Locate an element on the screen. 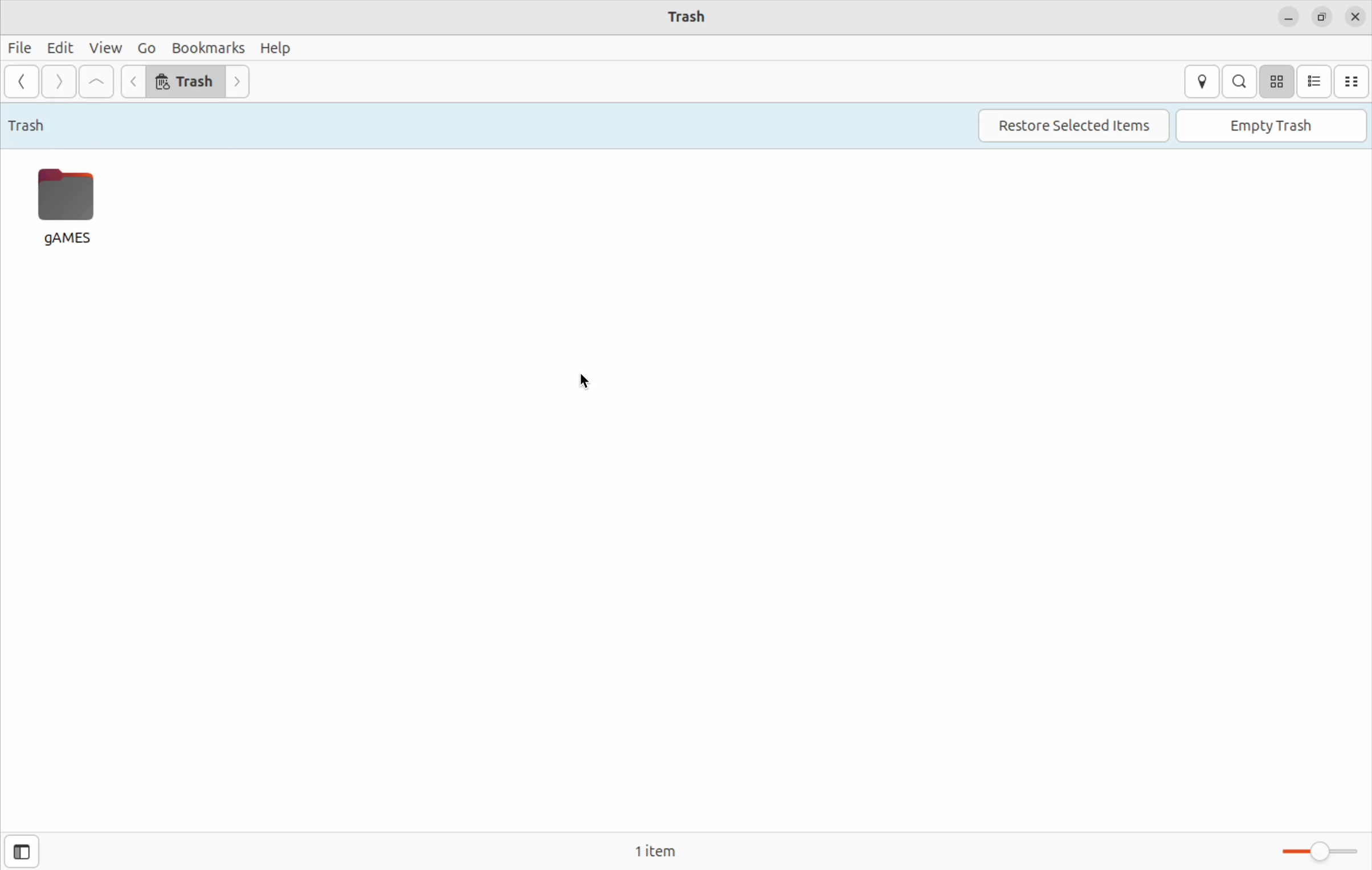 The width and height of the screenshot is (1372, 870). trash is located at coordinates (687, 16).